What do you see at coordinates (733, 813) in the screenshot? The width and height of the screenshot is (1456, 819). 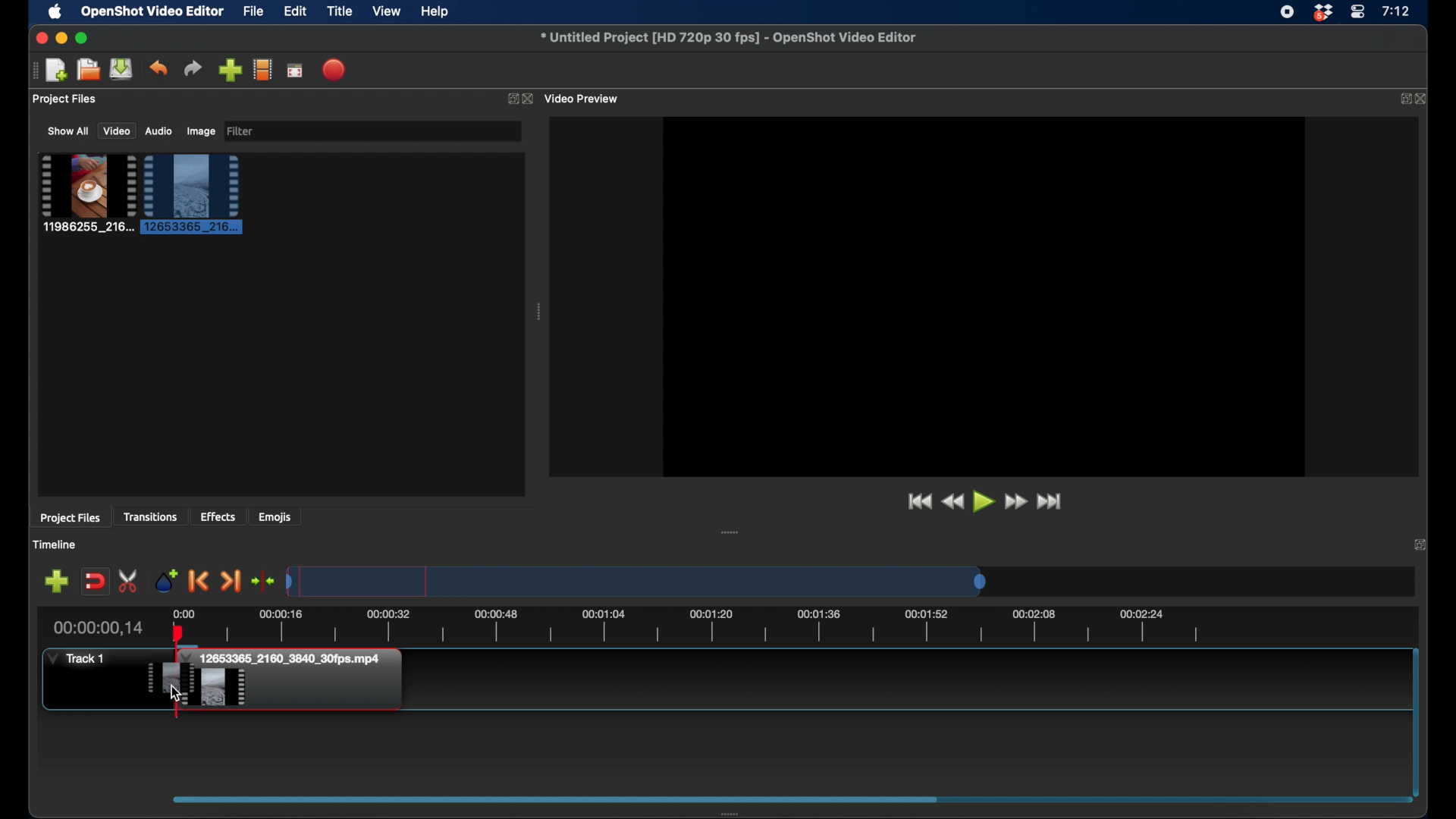 I see `drag handle` at bounding box center [733, 813].